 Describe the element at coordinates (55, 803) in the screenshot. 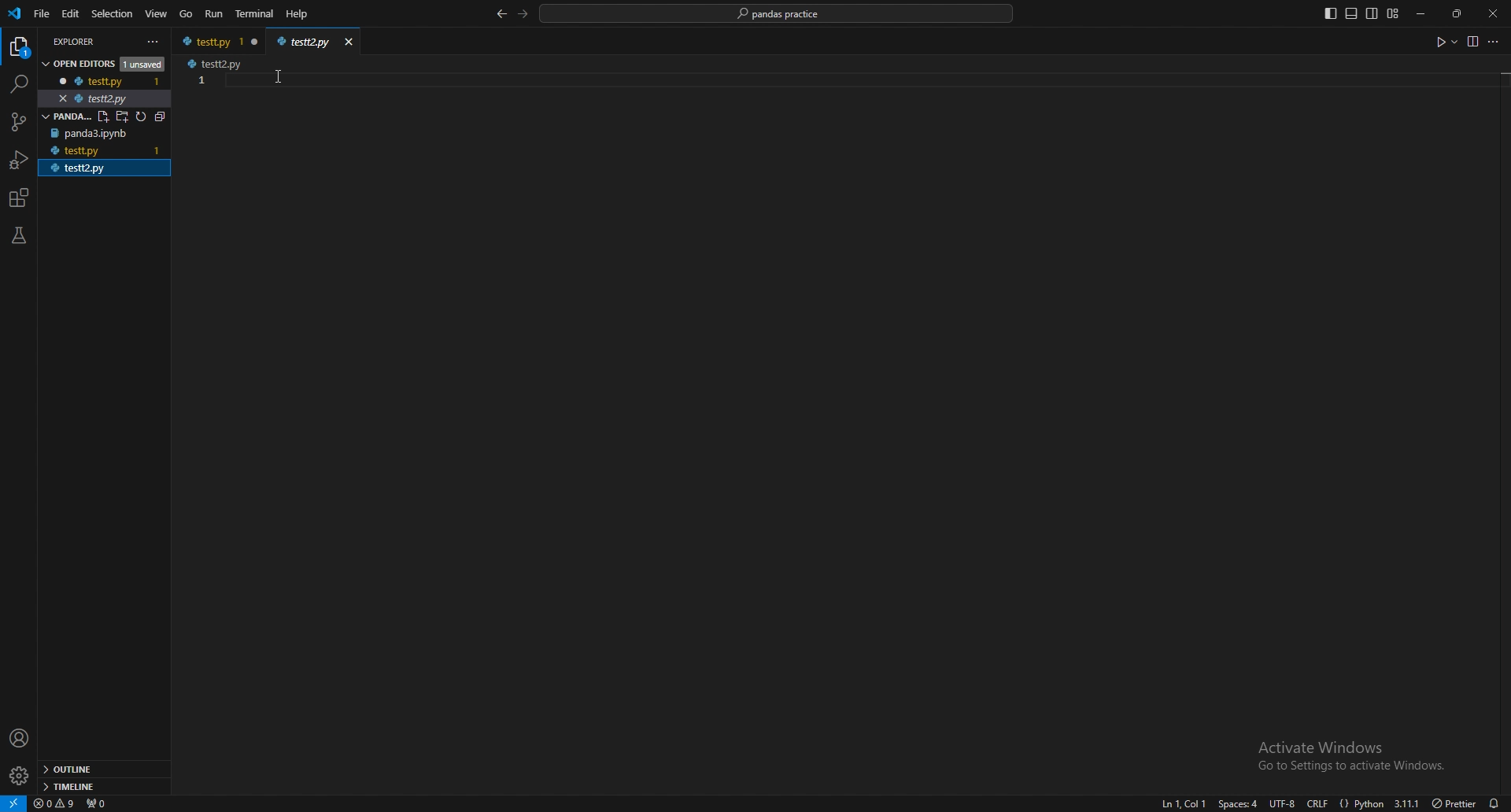

I see `warnings` at that location.